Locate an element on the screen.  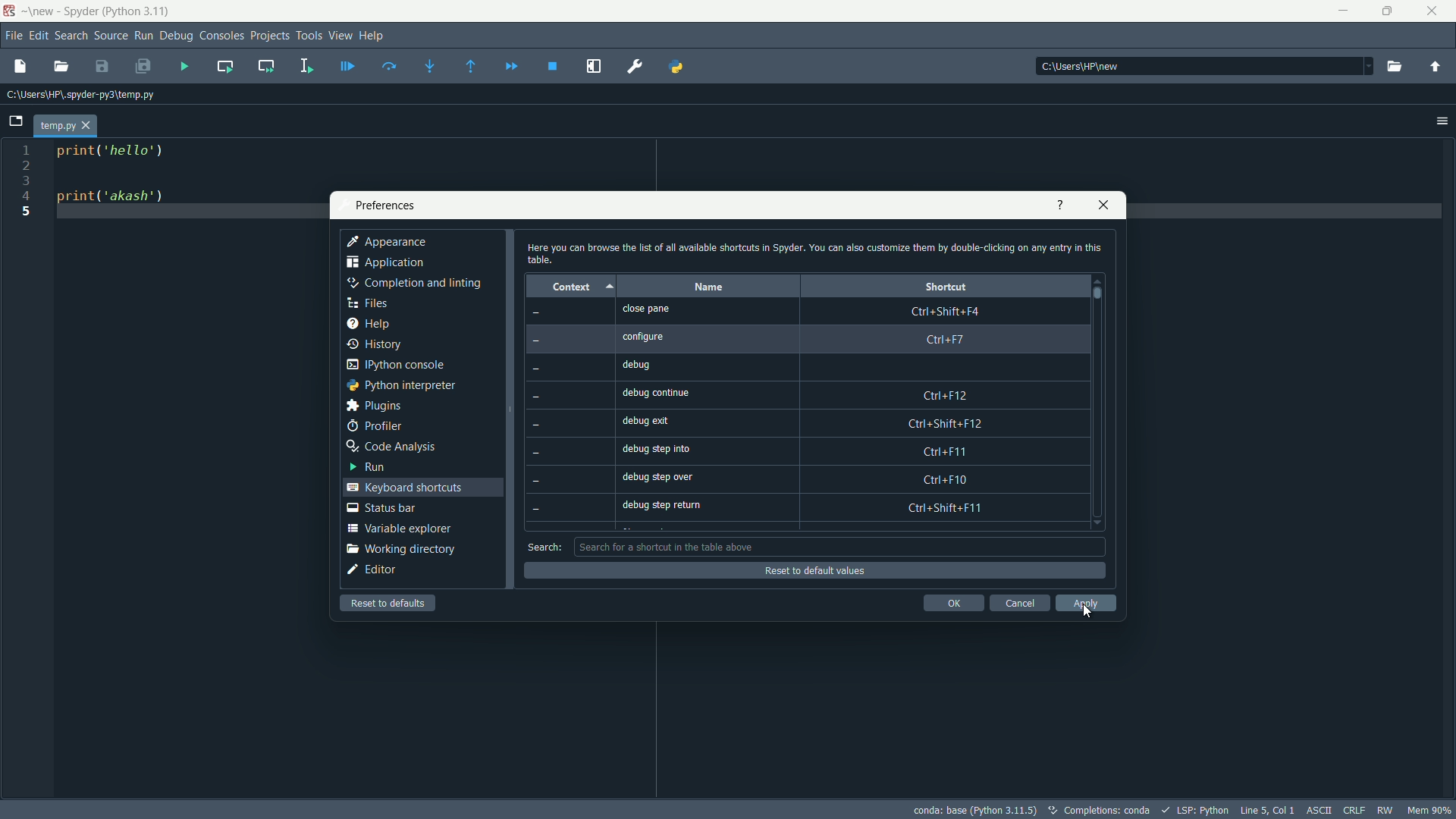
run until current function is located at coordinates (471, 67).